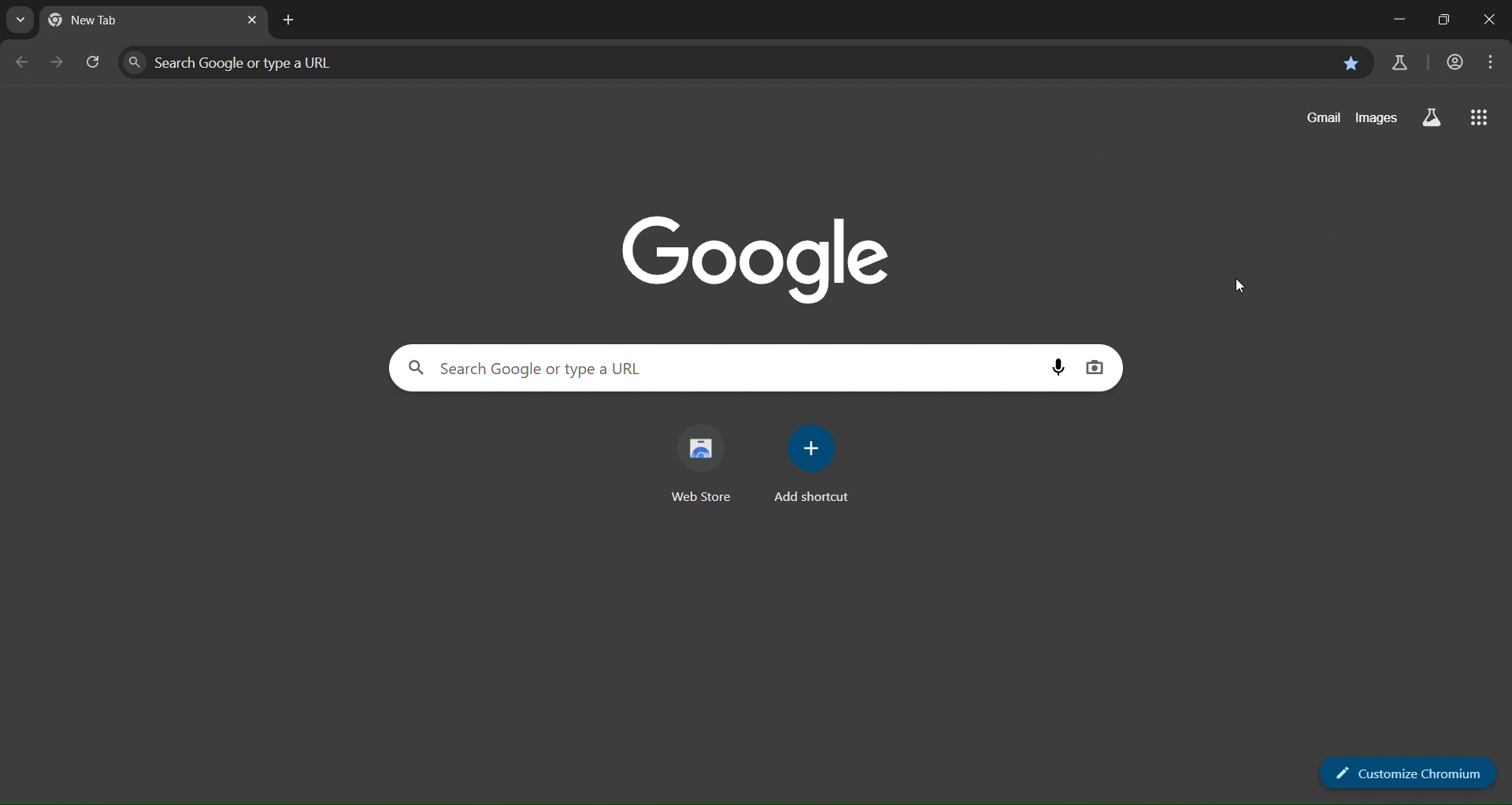 The image size is (1512, 805). What do you see at coordinates (250, 20) in the screenshot?
I see `close tab` at bounding box center [250, 20].